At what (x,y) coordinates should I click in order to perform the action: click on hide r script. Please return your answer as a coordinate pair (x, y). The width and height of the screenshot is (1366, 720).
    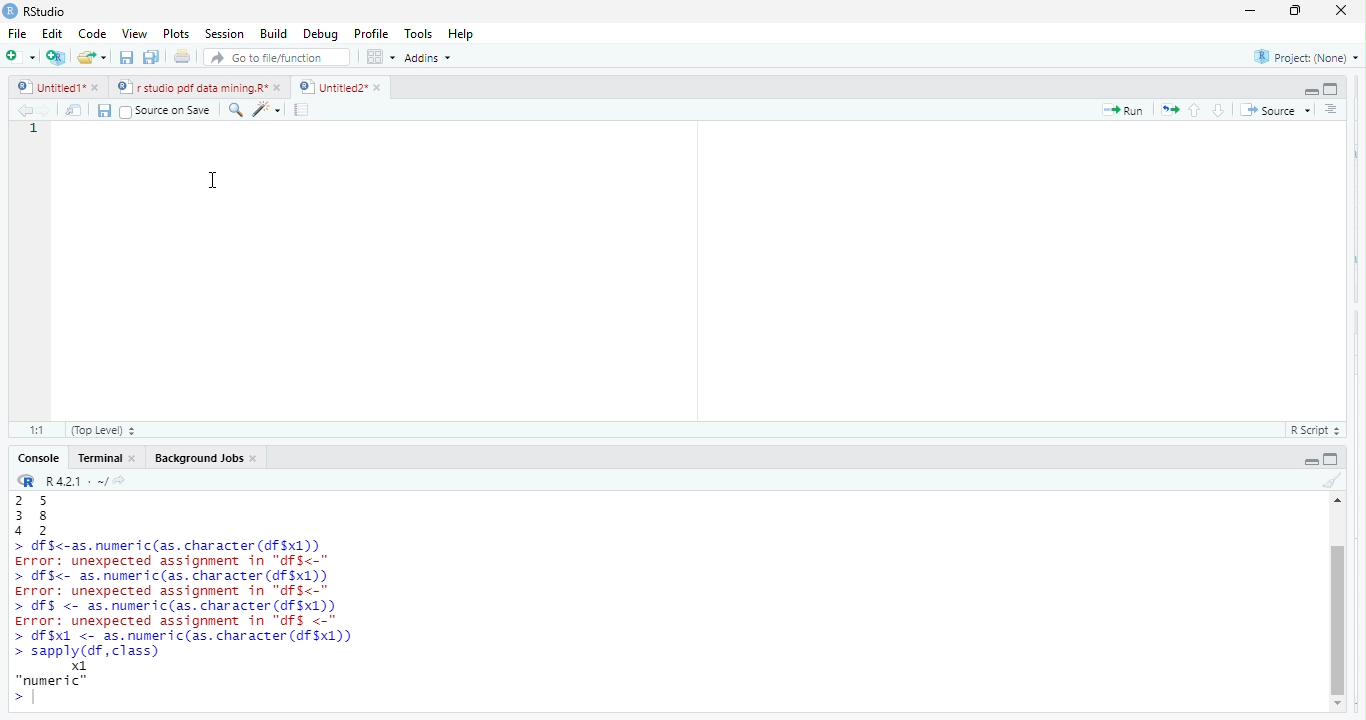
    Looking at the image, I should click on (1308, 91).